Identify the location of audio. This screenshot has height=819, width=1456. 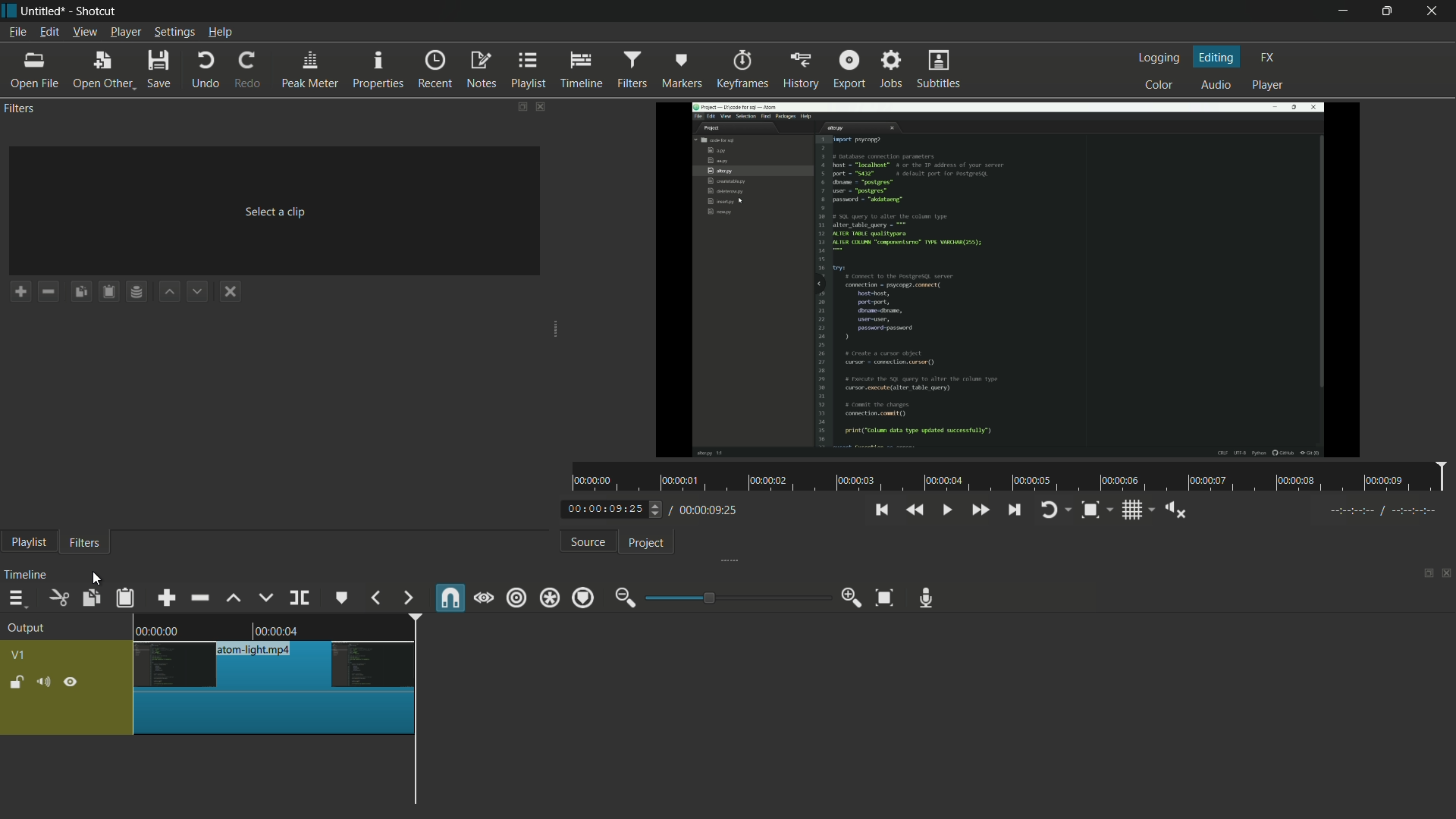
(1217, 84).